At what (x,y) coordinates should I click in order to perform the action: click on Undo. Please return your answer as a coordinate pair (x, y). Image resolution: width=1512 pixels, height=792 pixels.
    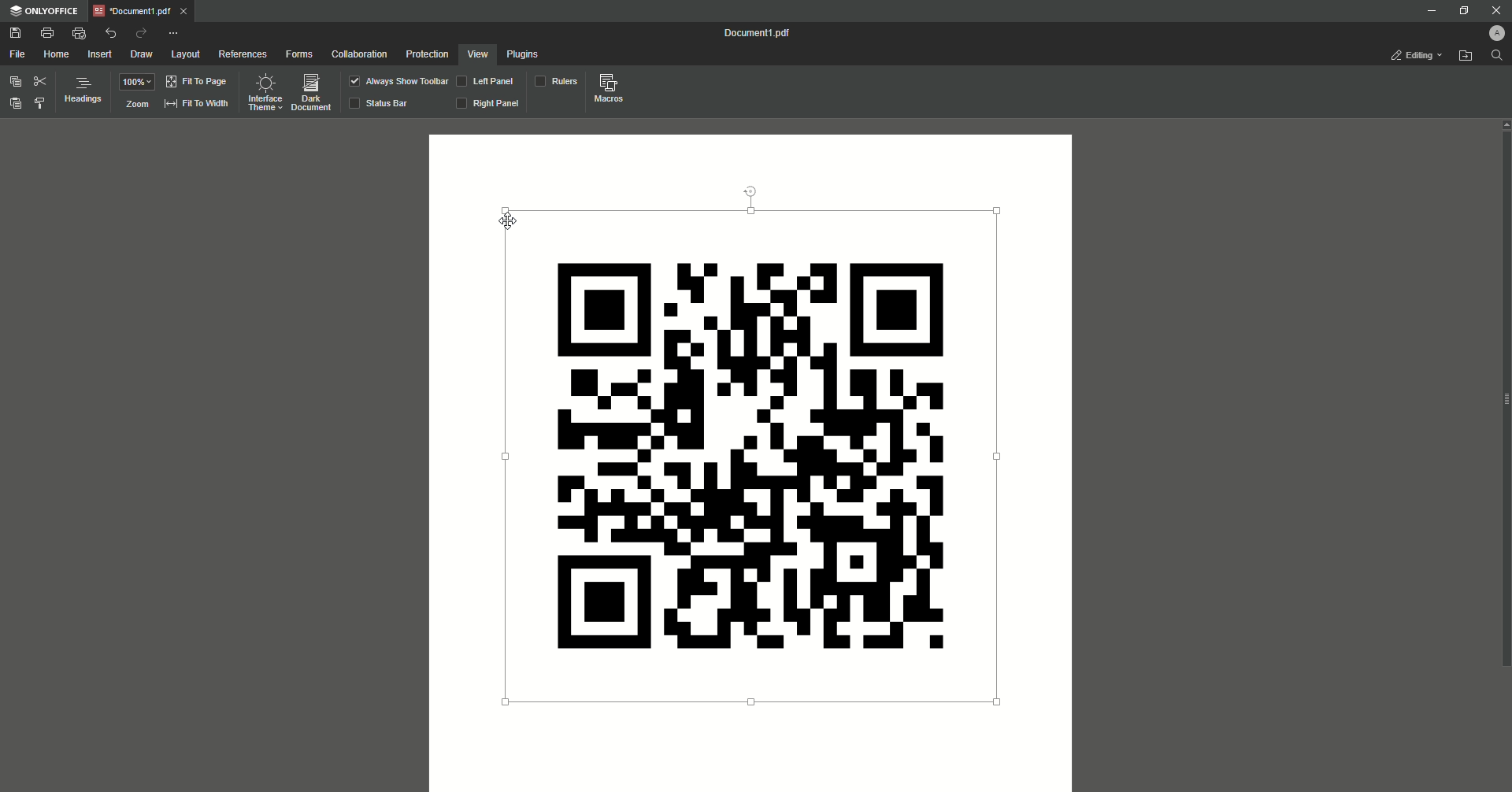
    Looking at the image, I should click on (109, 33).